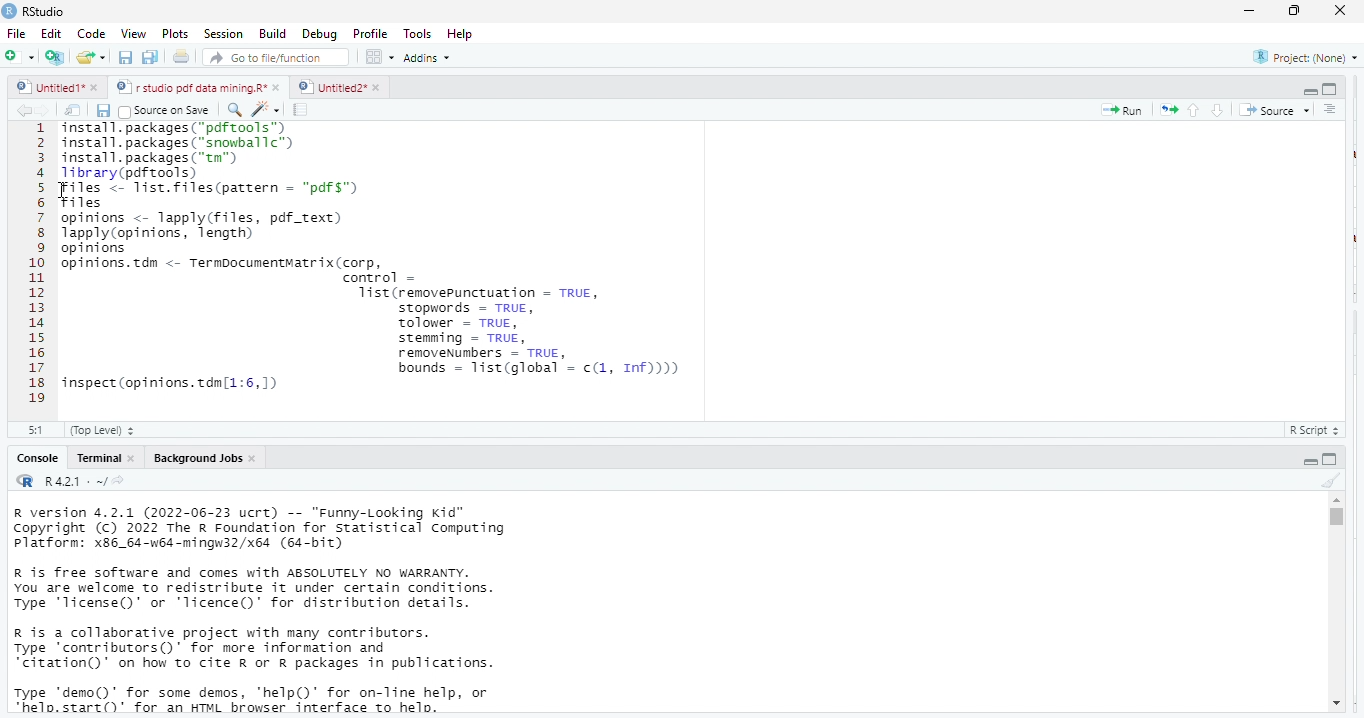  I want to click on session, so click(222, 34).